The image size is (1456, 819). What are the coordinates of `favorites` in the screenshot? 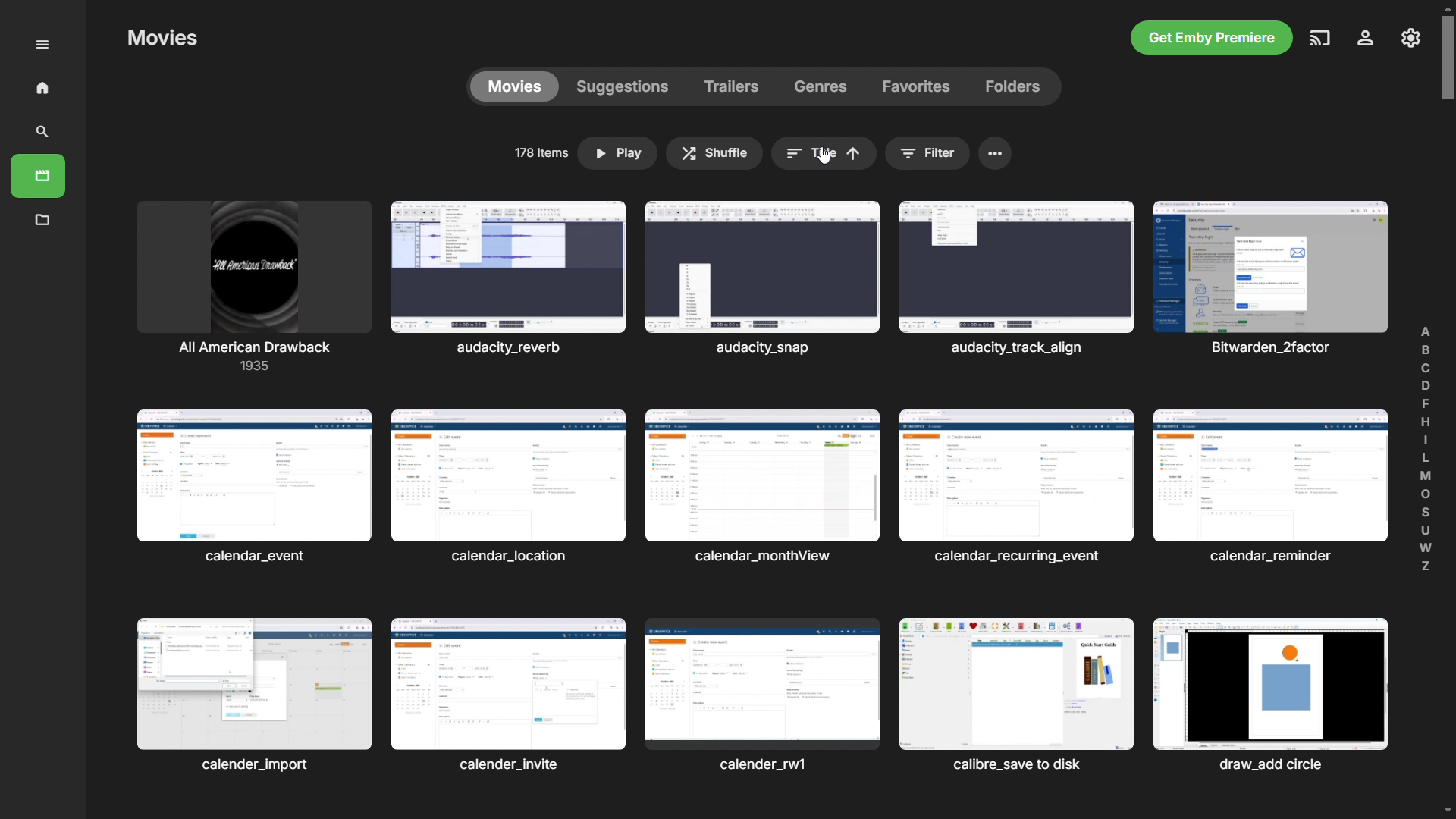 It's located at (917, 86).